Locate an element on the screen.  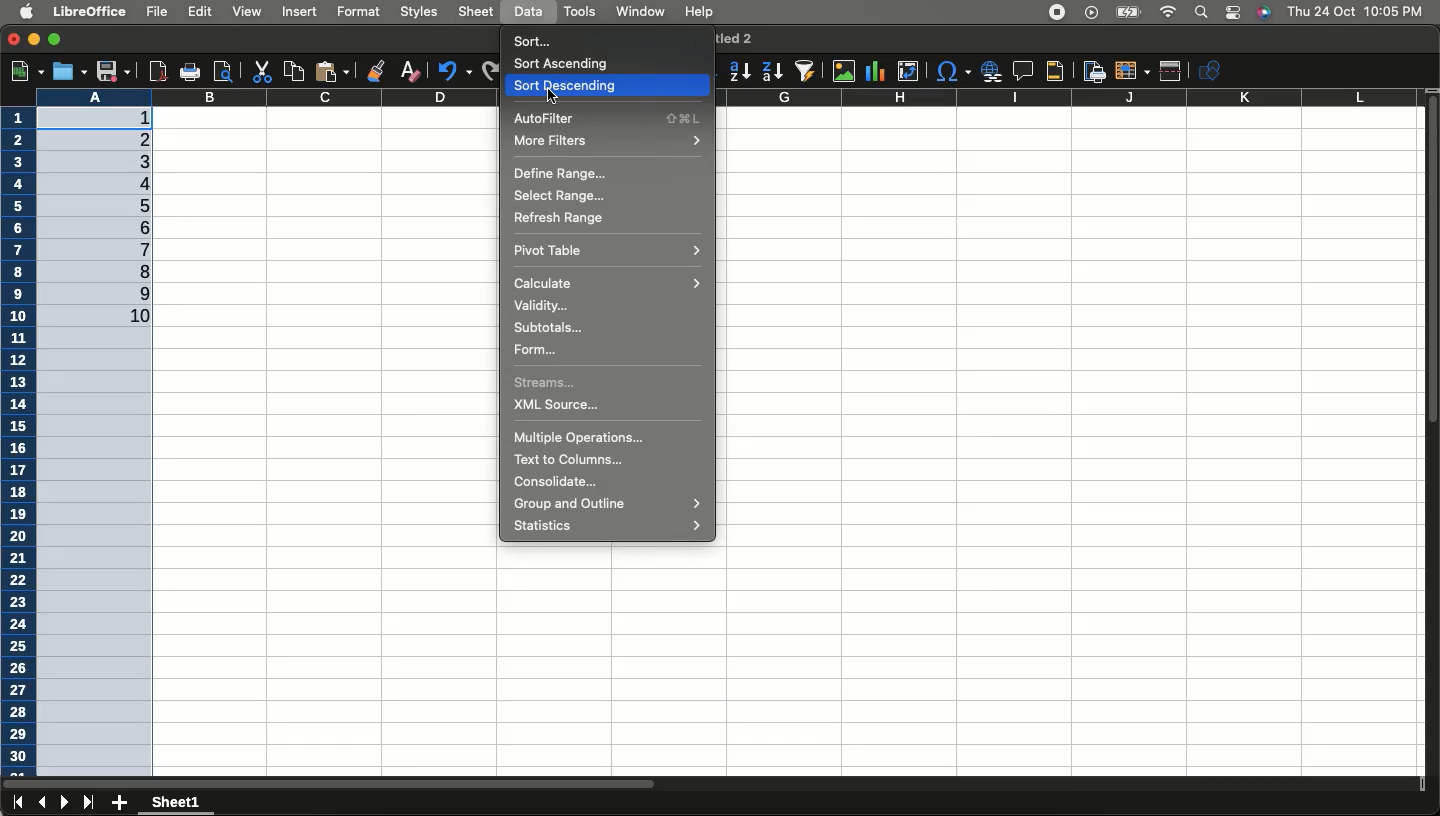
Edit is located at coordinates (202, 13).